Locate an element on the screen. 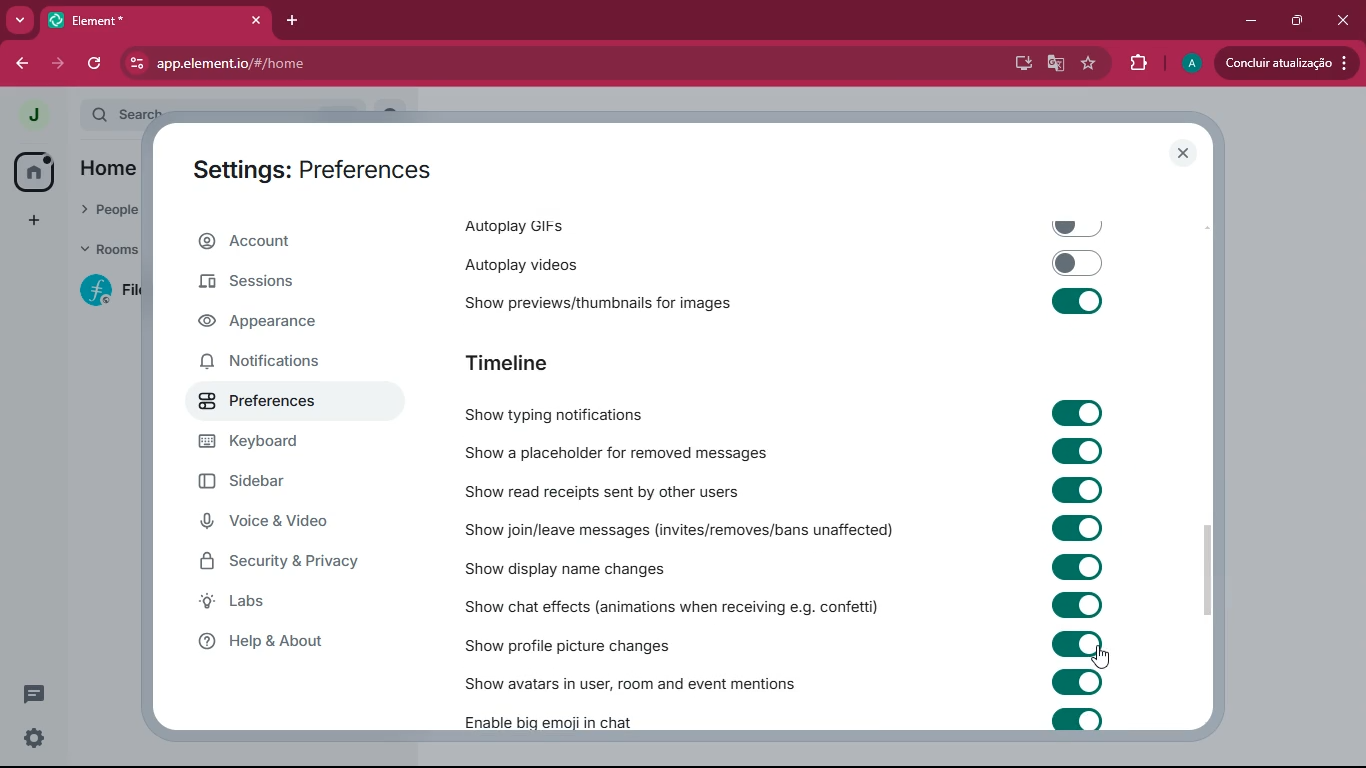  Show chat effects (animations when receiving e.g. confetti)  is located at coordinates (793, 608).